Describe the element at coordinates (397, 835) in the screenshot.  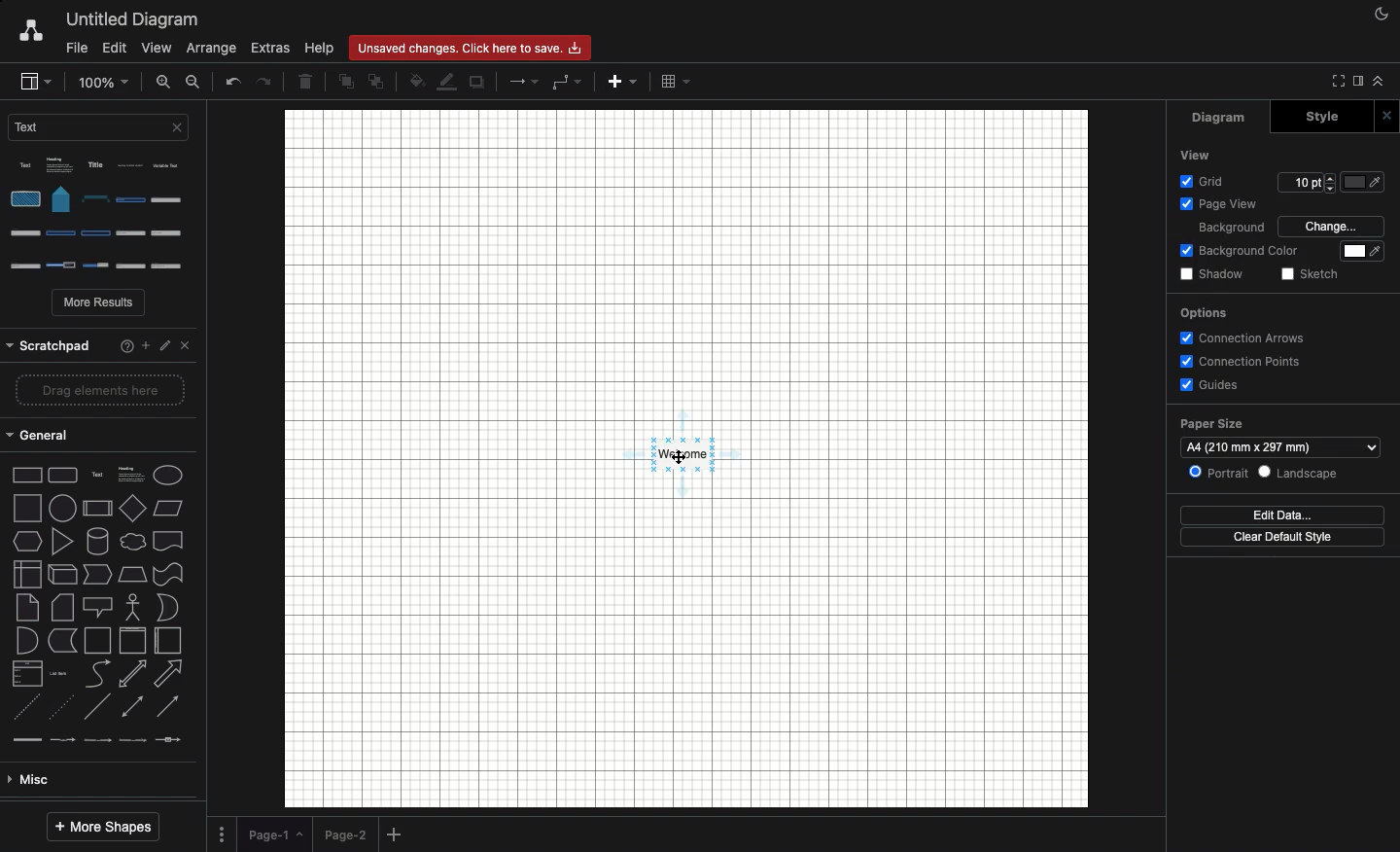
I see `Add` at that location.